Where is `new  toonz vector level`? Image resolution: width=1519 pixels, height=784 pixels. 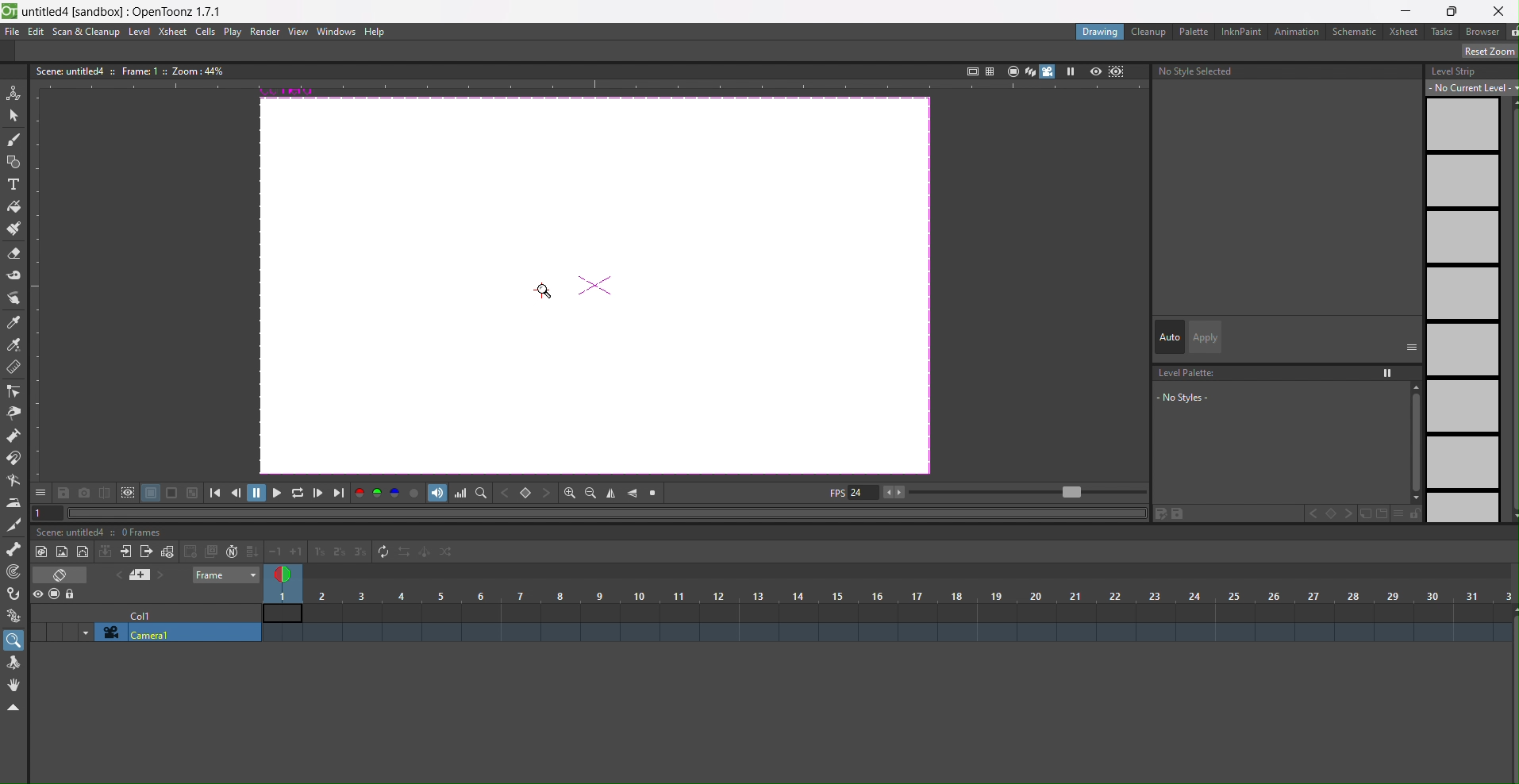
new  toonz vector level is located at coordinates (62, 551).